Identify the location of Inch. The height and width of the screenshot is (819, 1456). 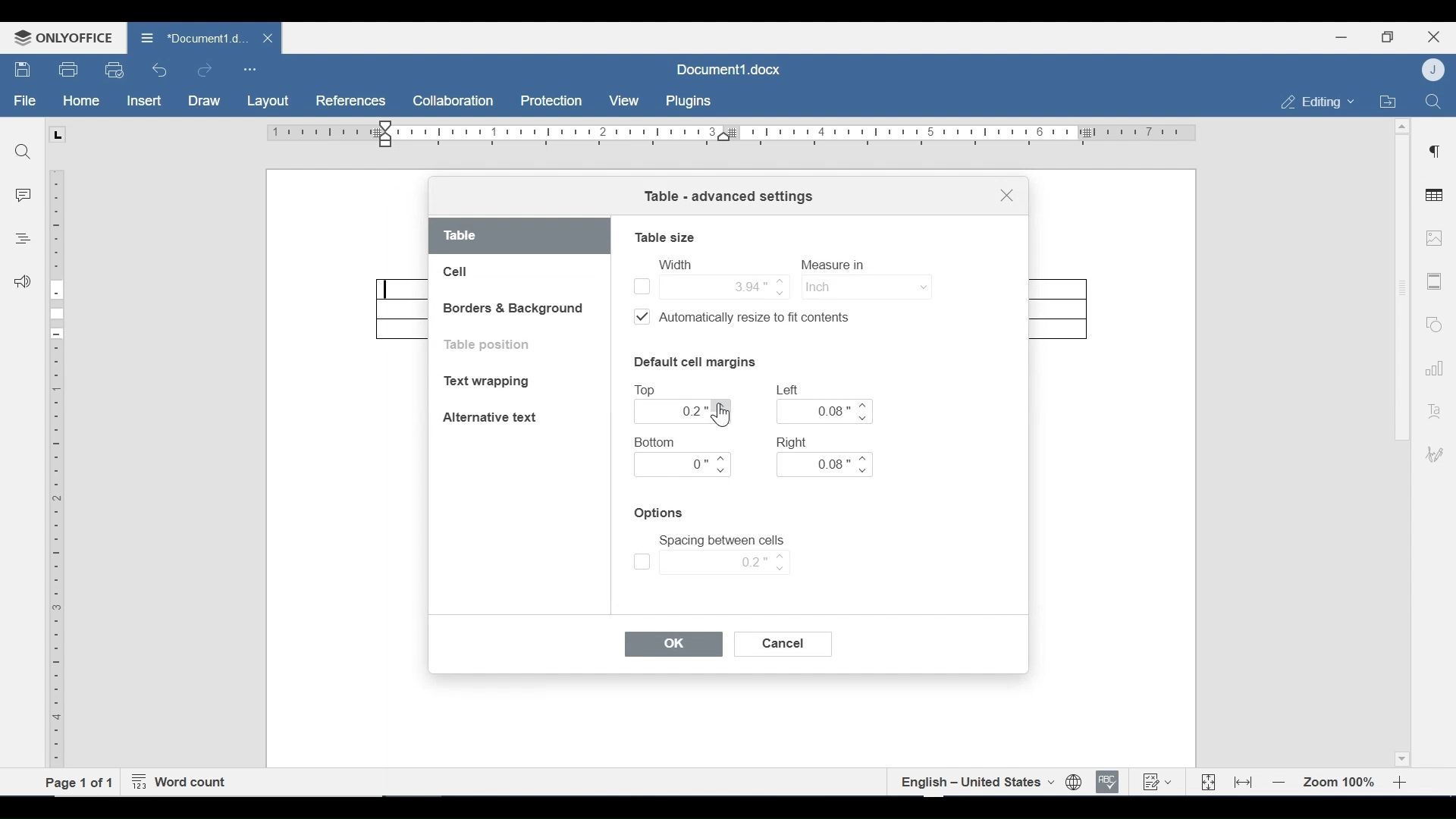
(864, 286).